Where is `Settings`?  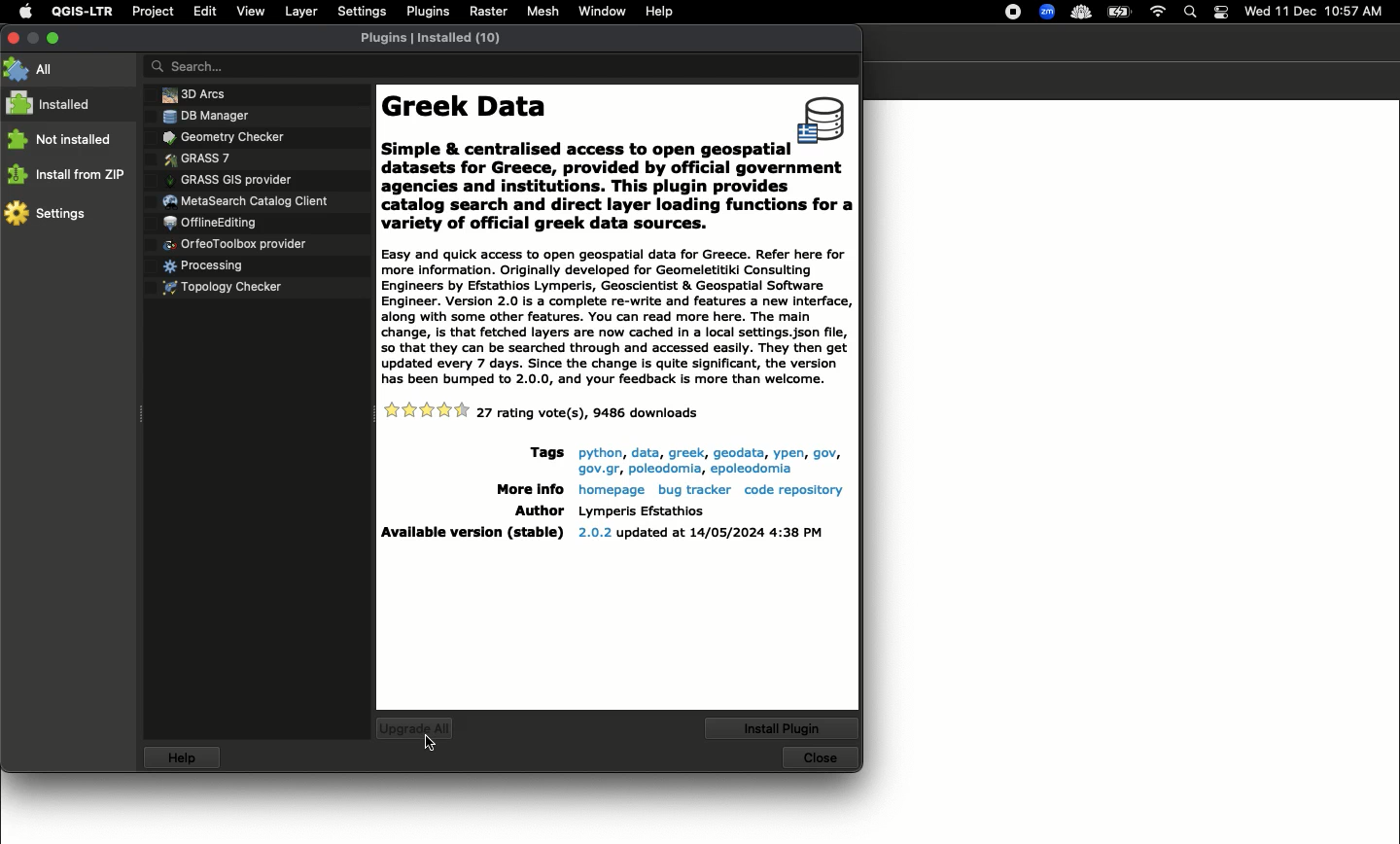
Settings is located at coordinates (361, 11).